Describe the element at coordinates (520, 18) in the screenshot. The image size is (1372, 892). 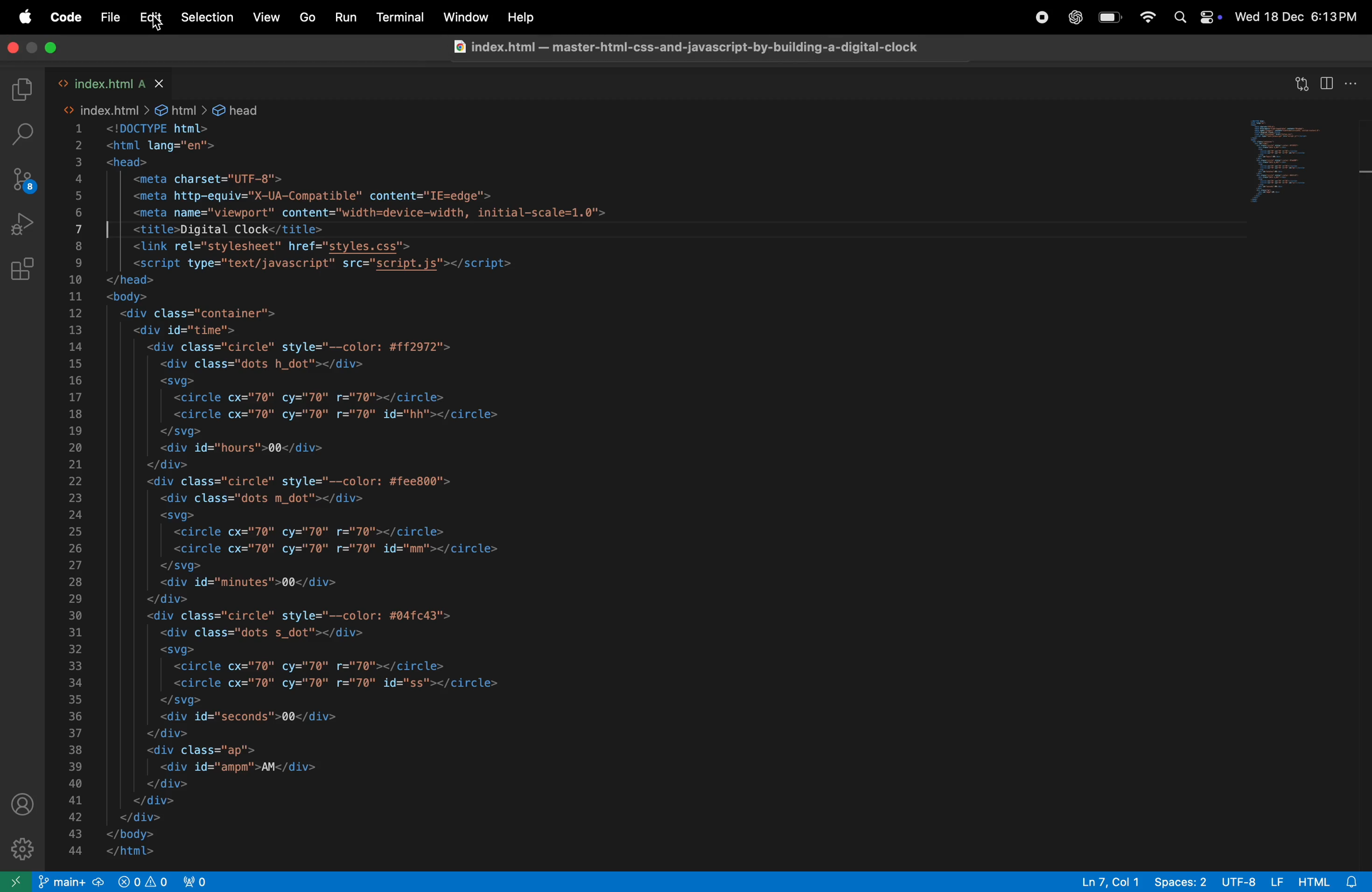
I see `help` at that location.